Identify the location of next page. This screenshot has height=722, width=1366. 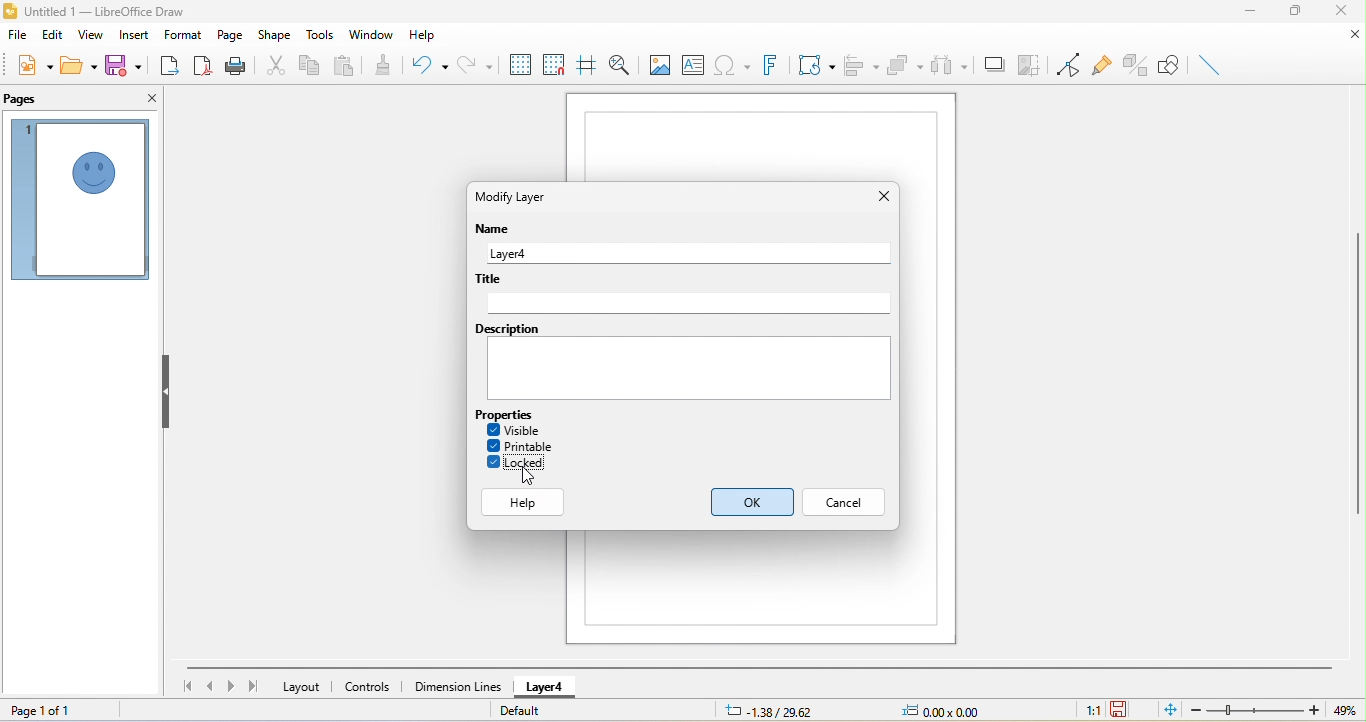
(230, 687).